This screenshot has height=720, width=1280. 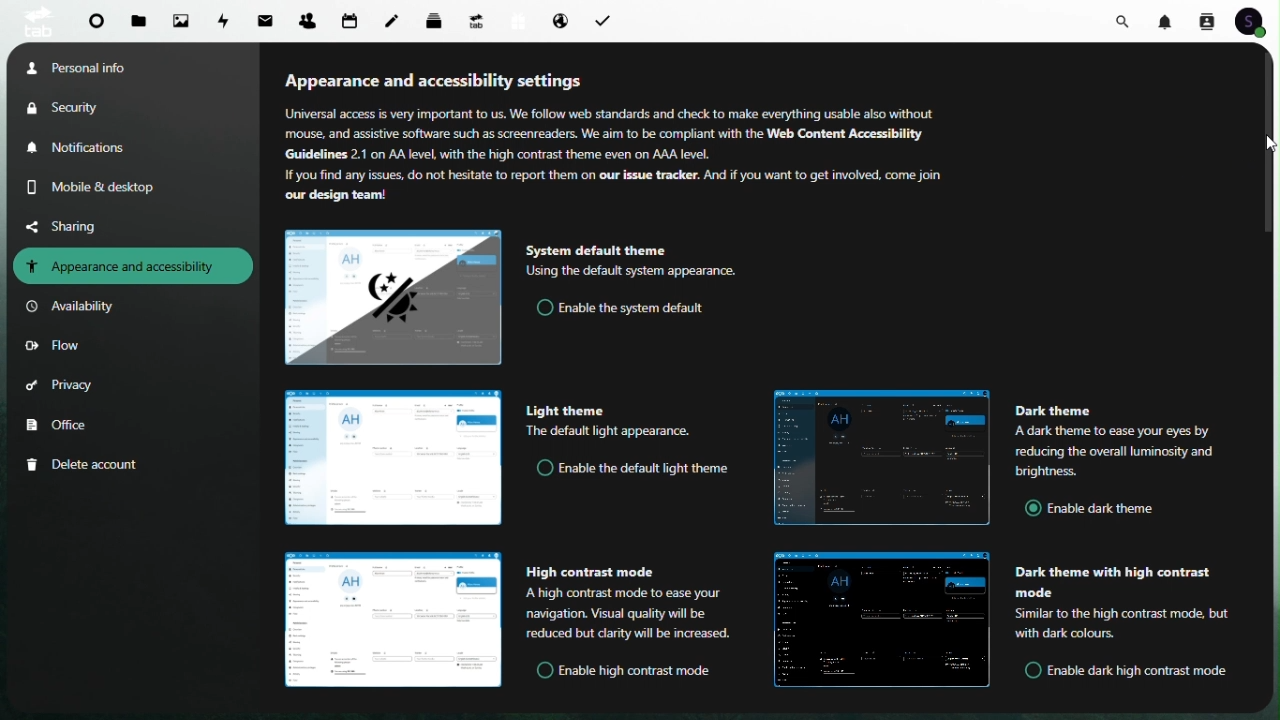 I want to click on 2.1 on AA level, with the high contrast theme even on AAA level., so click(x=532, y=154).